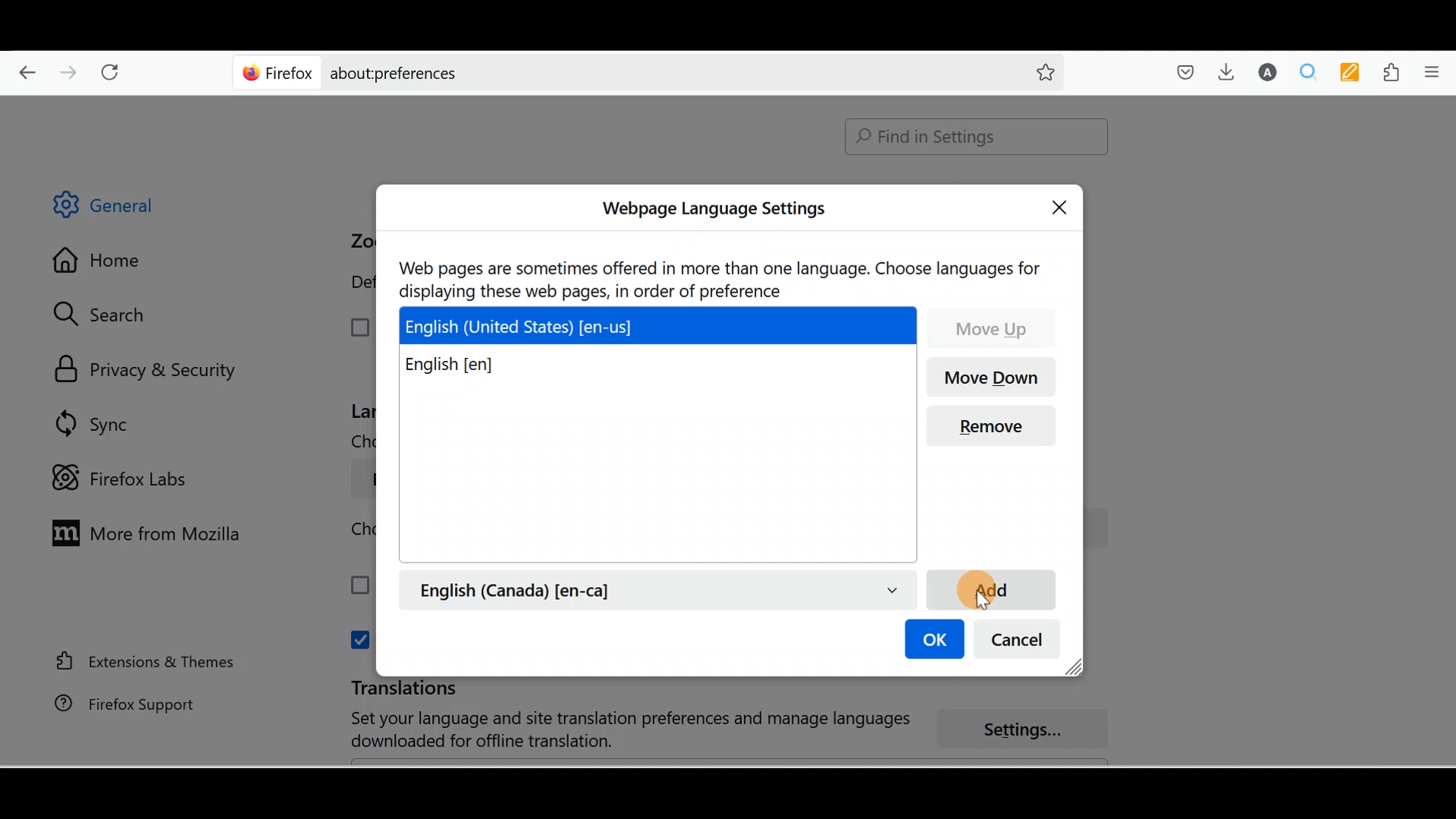 The width and height of the screenshot is (1456, 819). What do you see at coordinates (21, 68) in the screenshot?
I see `Go back one page` at bounding box center [21, 68].